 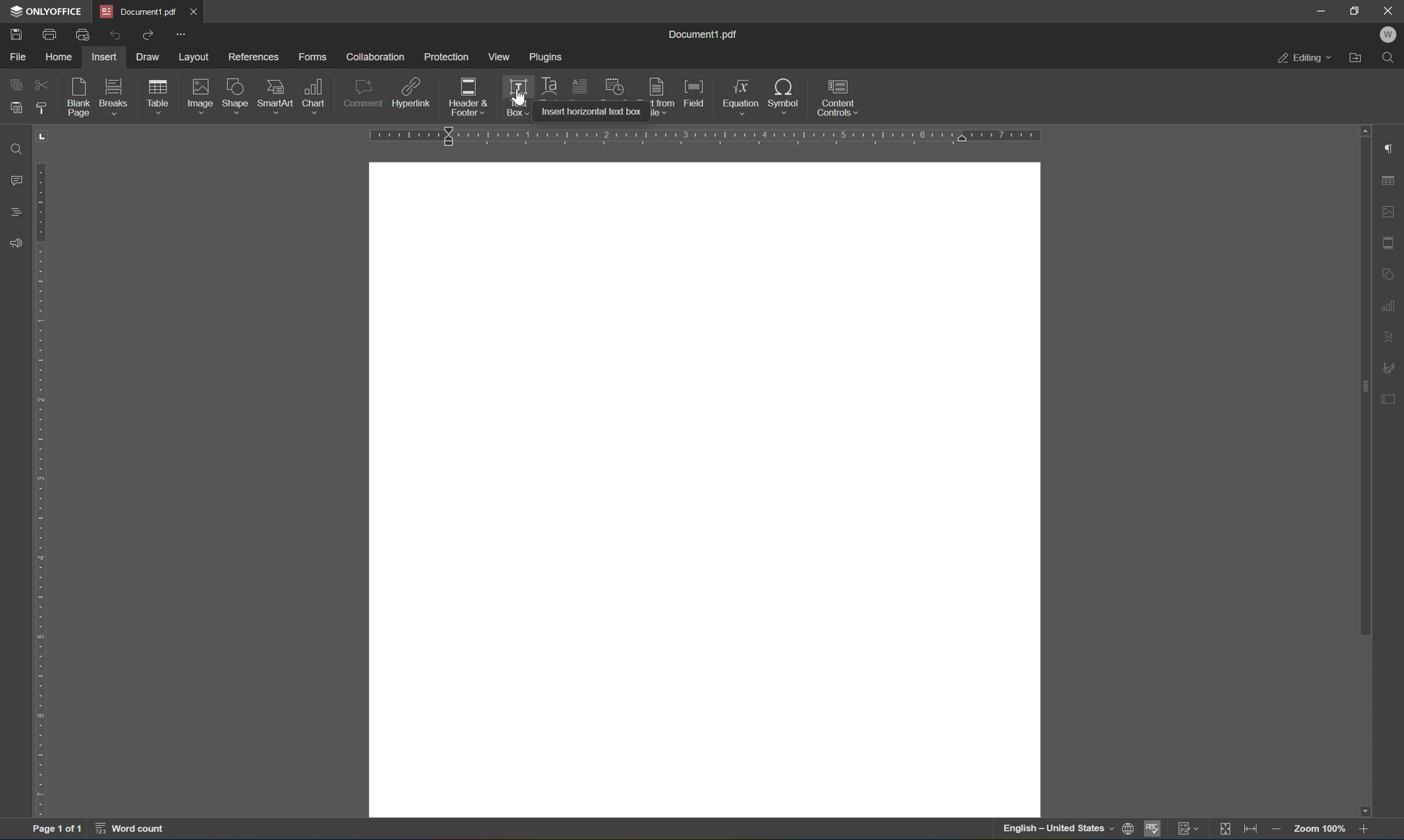 I want to click on draw, so click(x=150, y=55).